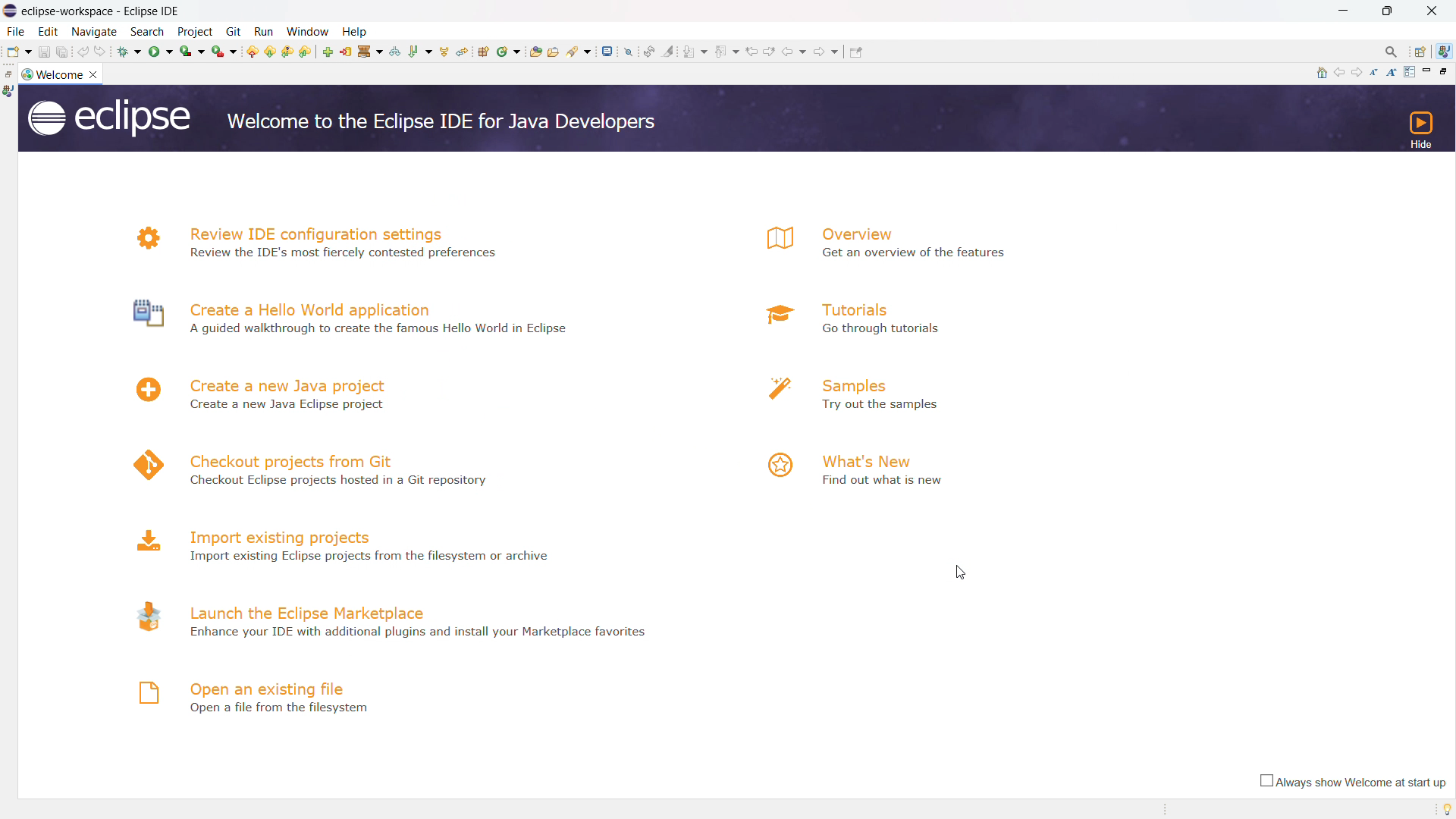 The height and width of the screenshot is (819, 1456). I want to click on import existing projects, so click(290, 535).